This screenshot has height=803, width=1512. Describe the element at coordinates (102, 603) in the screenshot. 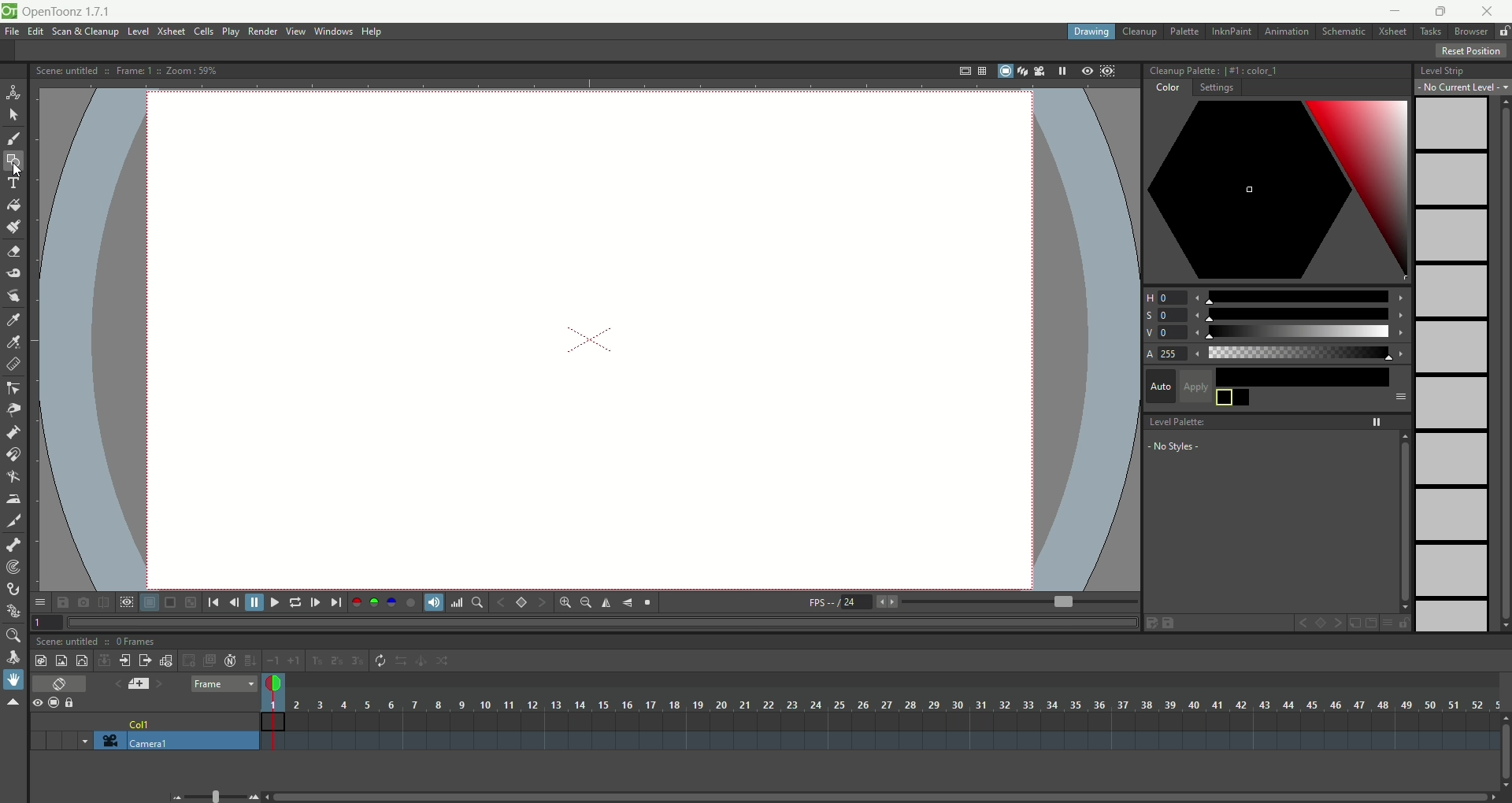

I see `compare to snapchat` at that location.